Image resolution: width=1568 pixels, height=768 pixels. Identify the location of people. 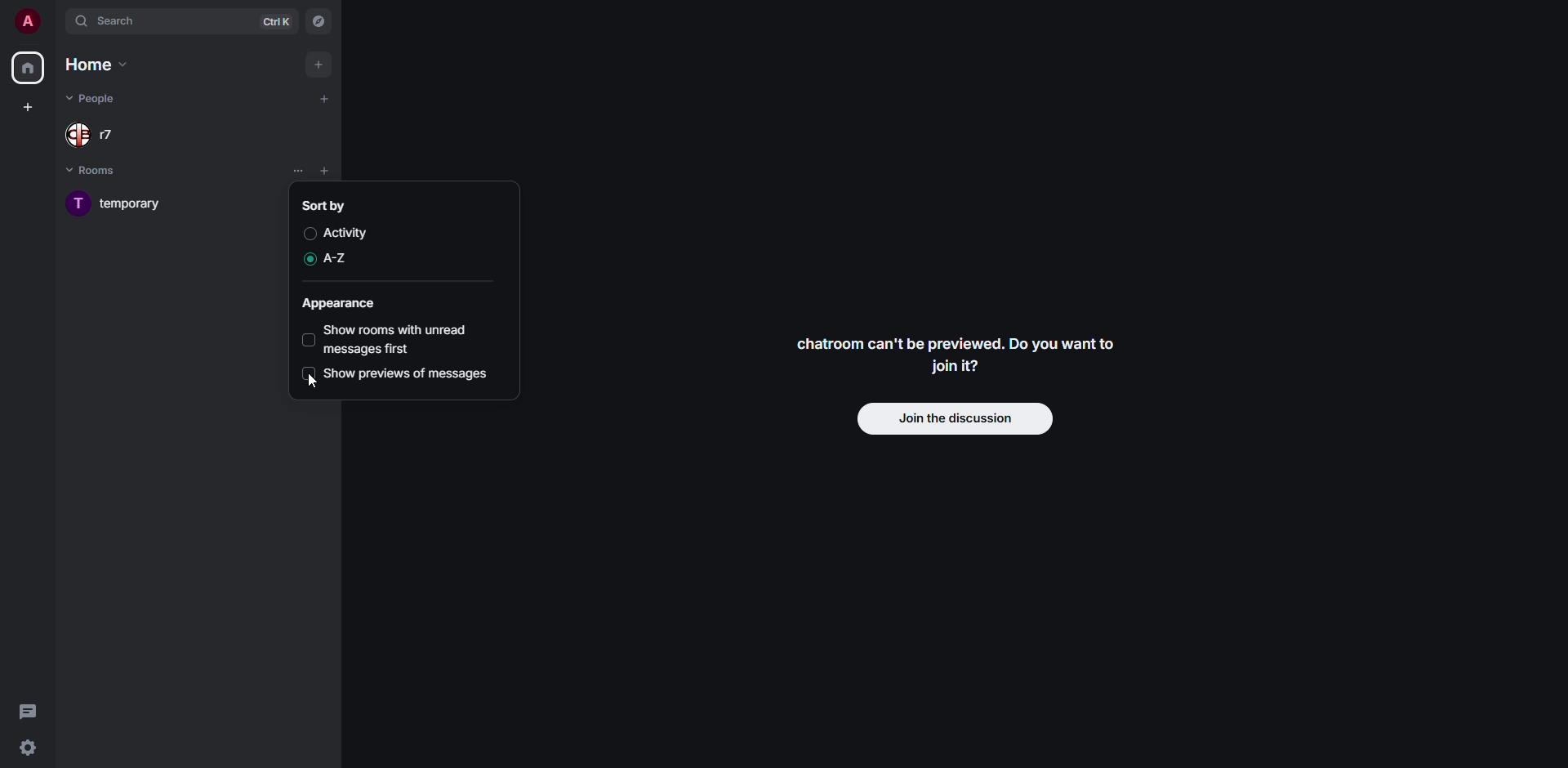
(96, 136).